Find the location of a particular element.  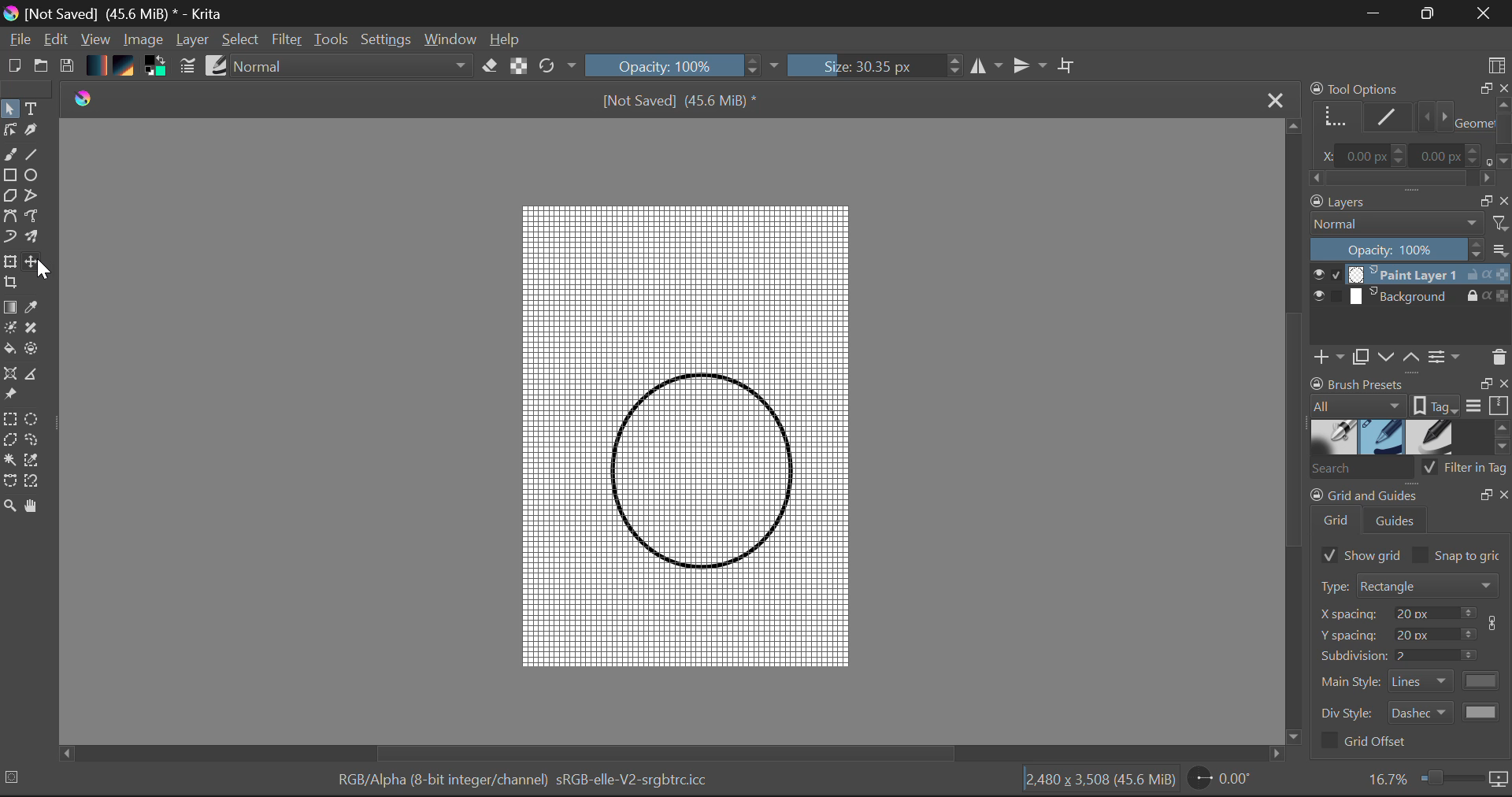

Grid and Guides Docker is located at coordinates (1411, 664).